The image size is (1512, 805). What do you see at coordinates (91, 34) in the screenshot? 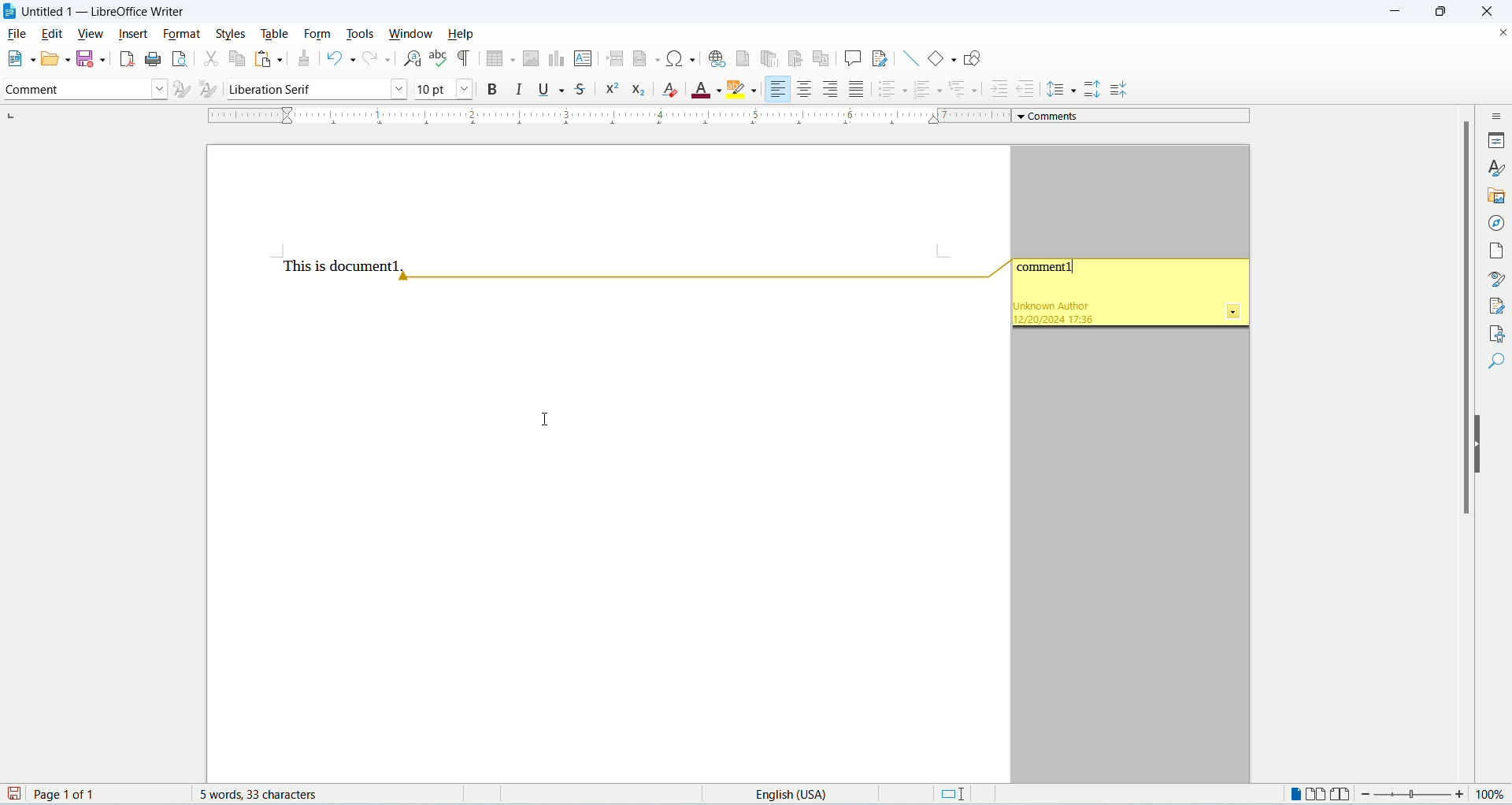
I see `view` at bounding box center [91, 34].